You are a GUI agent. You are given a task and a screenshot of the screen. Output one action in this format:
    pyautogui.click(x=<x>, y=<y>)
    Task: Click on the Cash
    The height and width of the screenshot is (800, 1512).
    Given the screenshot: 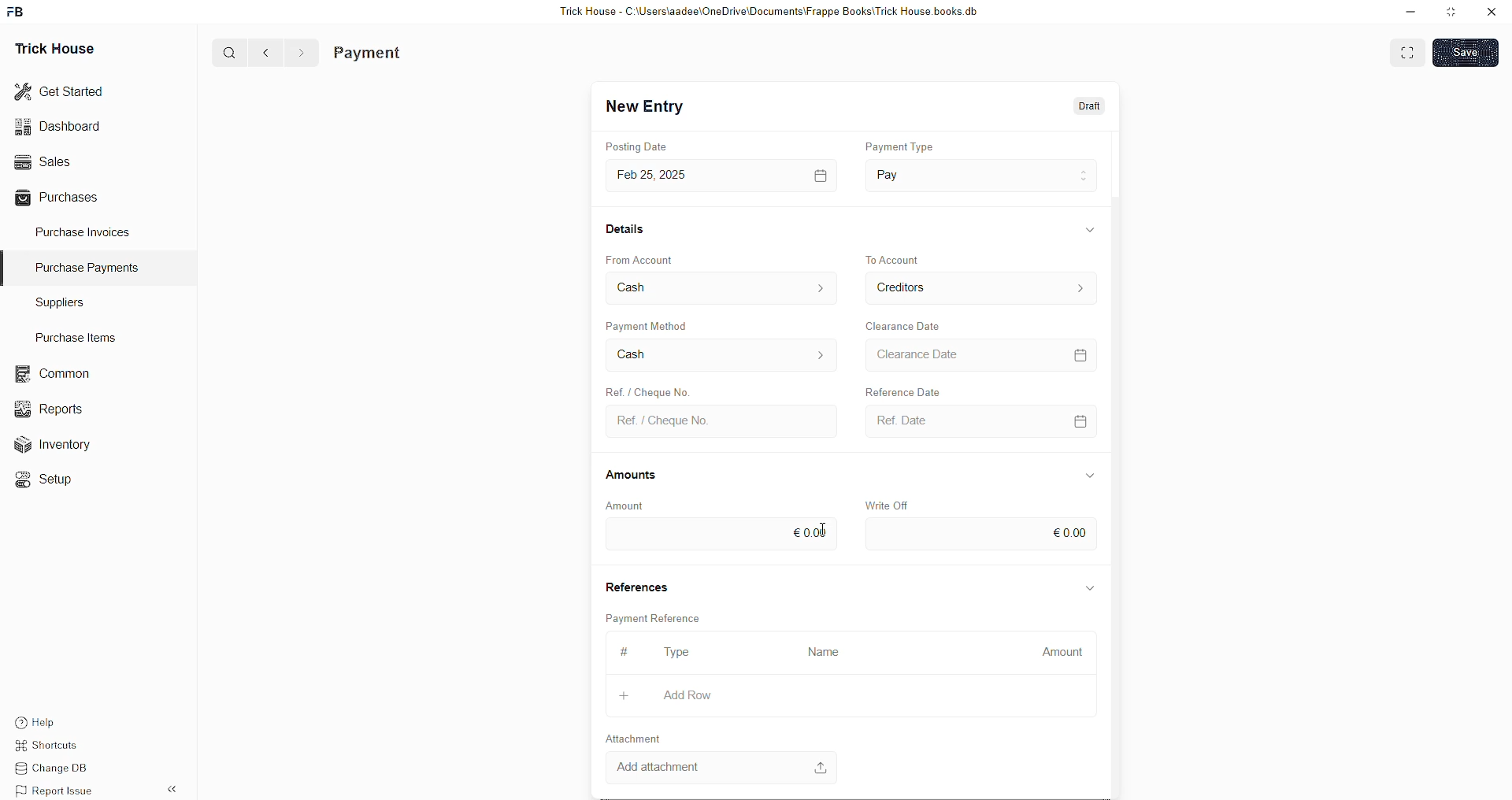 What is the action you would take?
    pyautogui.click(x=642, y=287)
    